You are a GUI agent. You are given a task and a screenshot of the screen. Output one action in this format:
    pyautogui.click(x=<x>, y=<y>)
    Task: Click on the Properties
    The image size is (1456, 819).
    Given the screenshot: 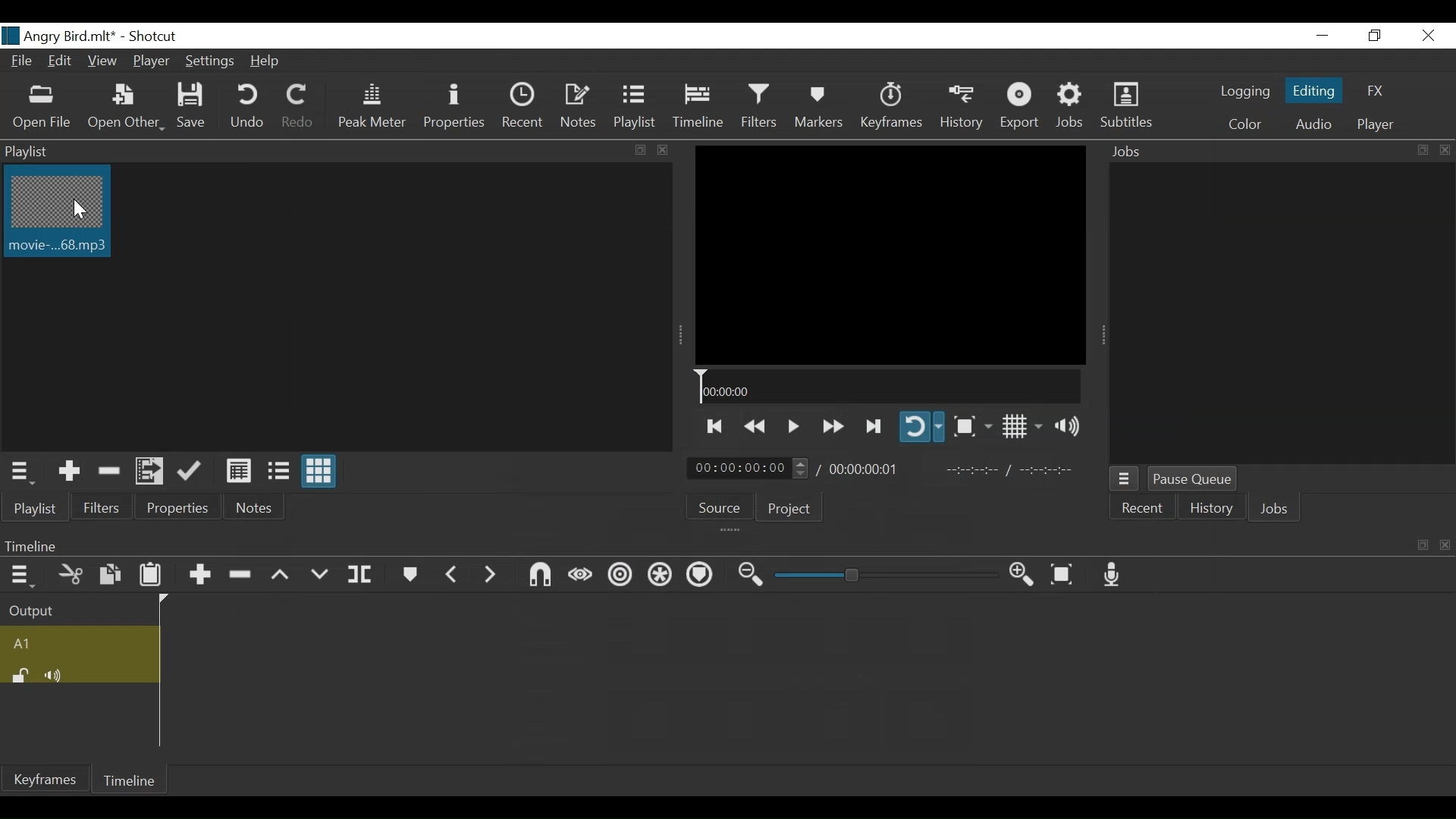 What is the action you would take?
    pyautogui.click(x=457, y=105)
    